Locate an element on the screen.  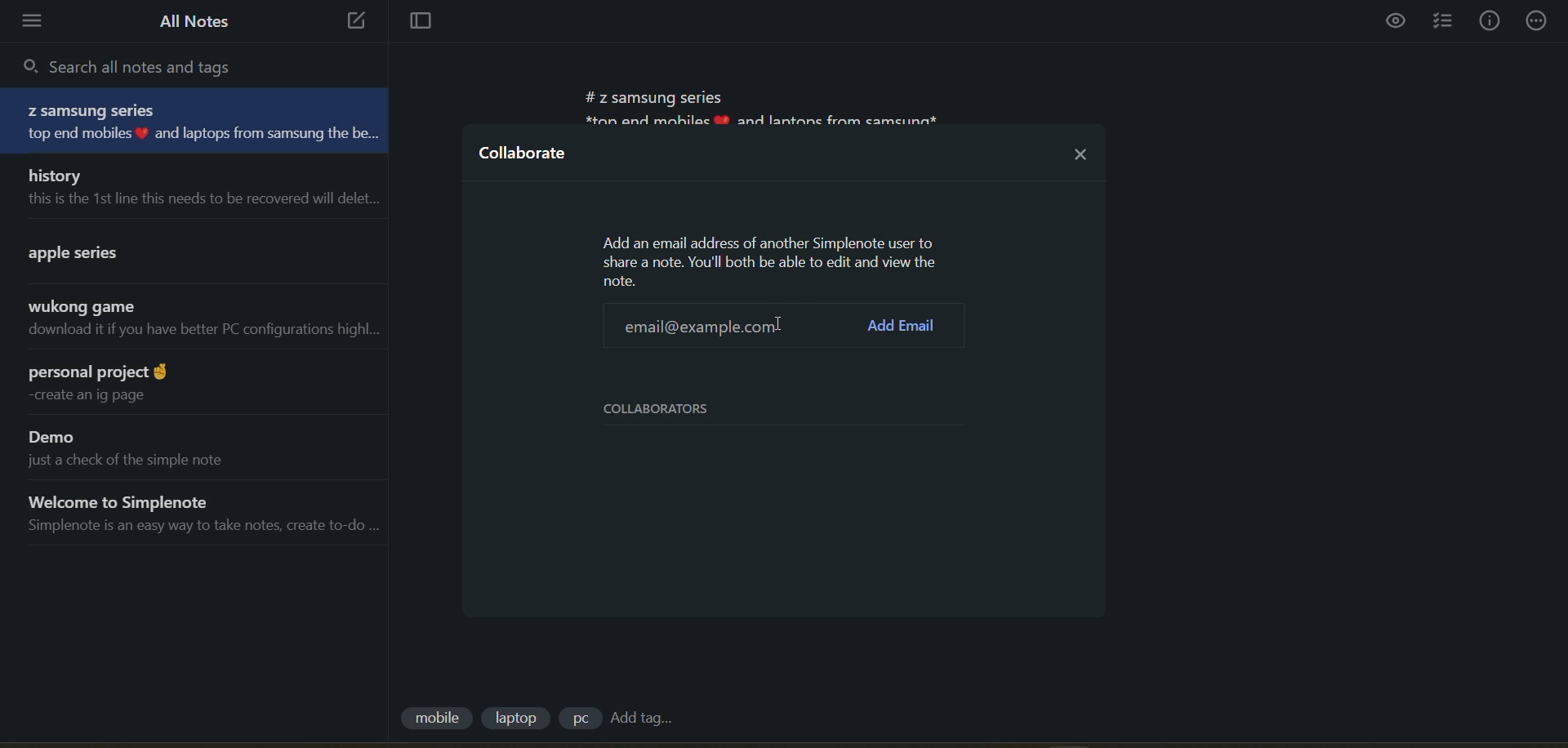
cursor is located at coordinates (777, 324).